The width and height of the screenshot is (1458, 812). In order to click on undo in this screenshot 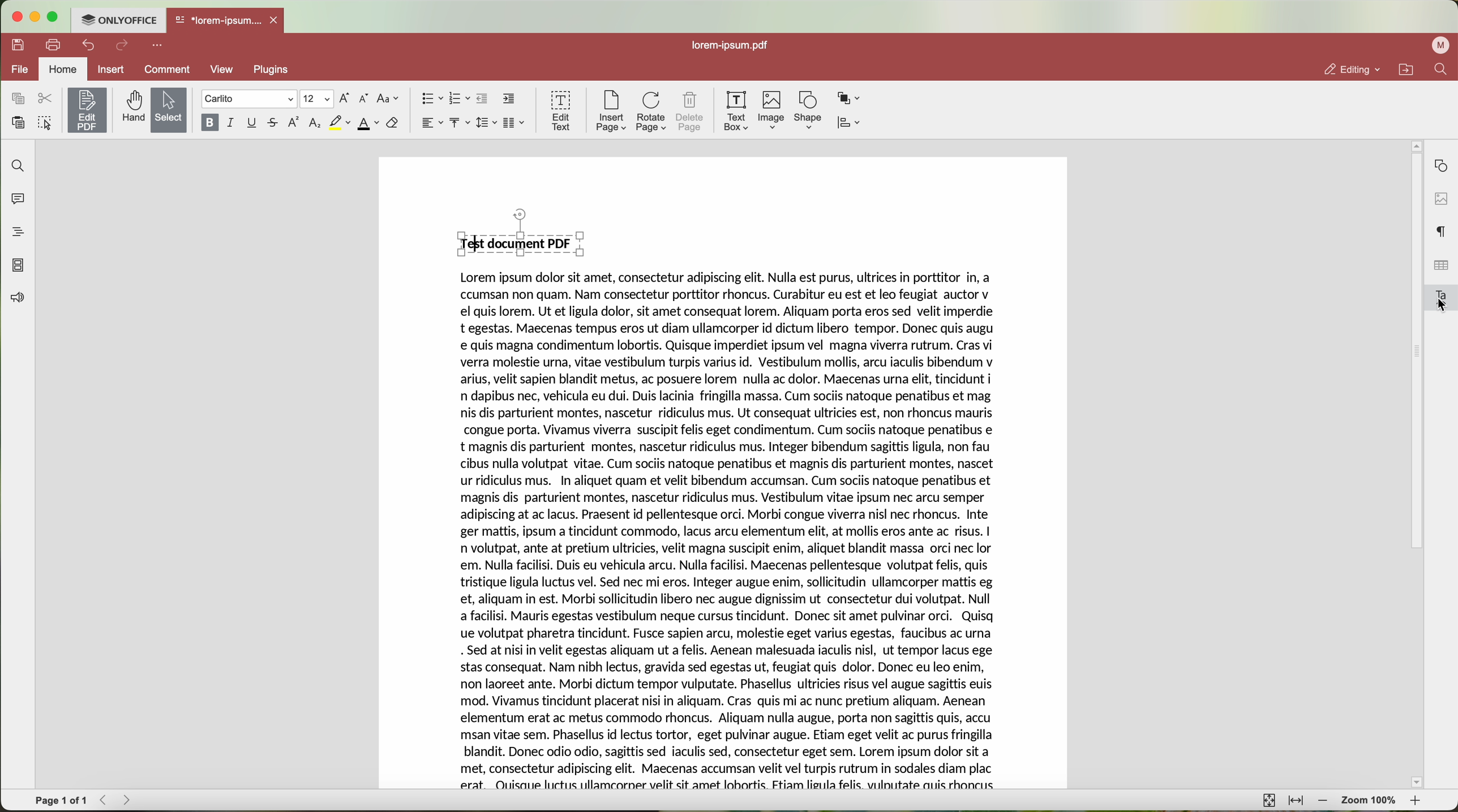, I will do `click(87, 46)`.